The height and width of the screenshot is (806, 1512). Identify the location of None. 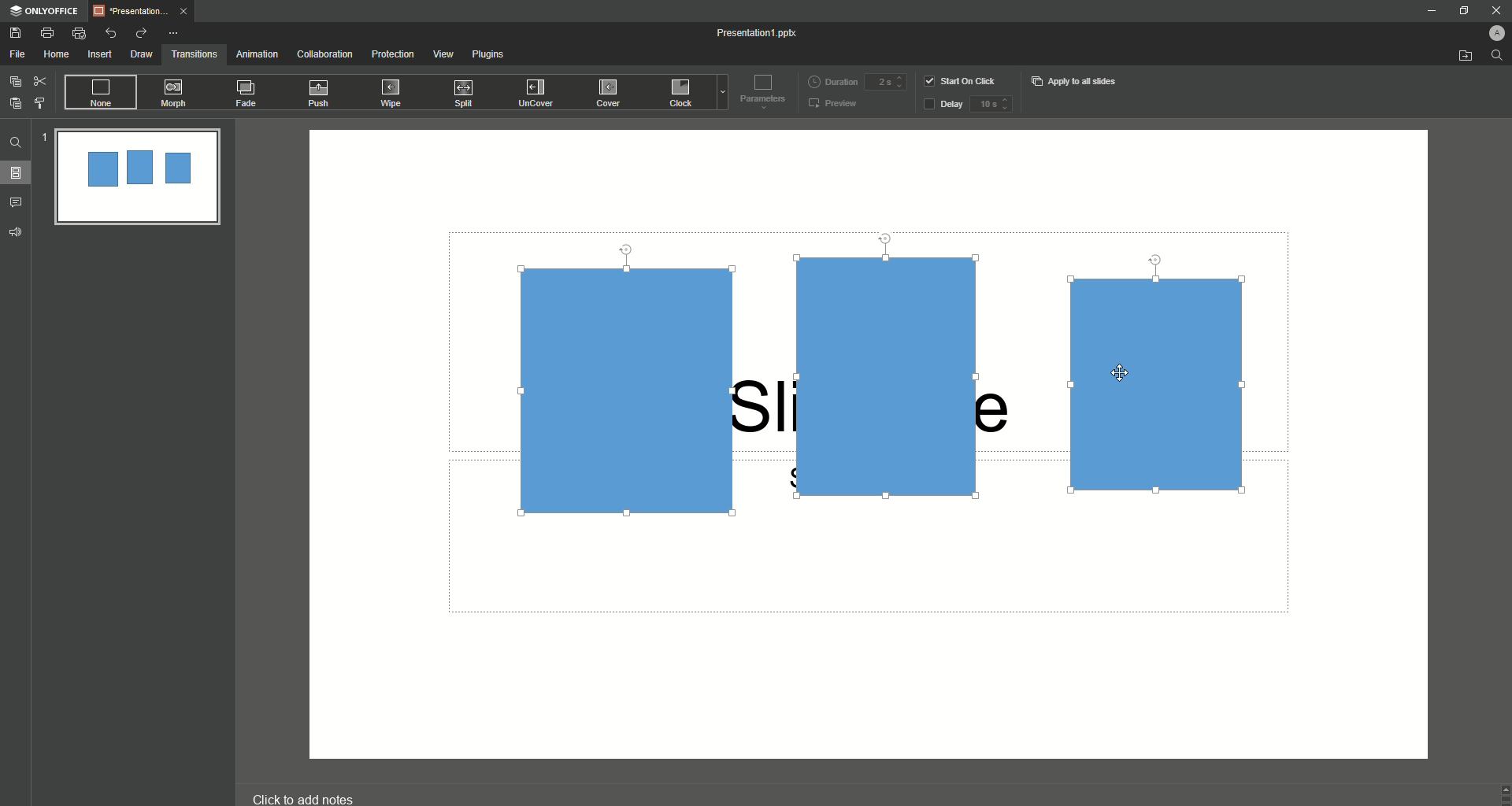
(99, 93).